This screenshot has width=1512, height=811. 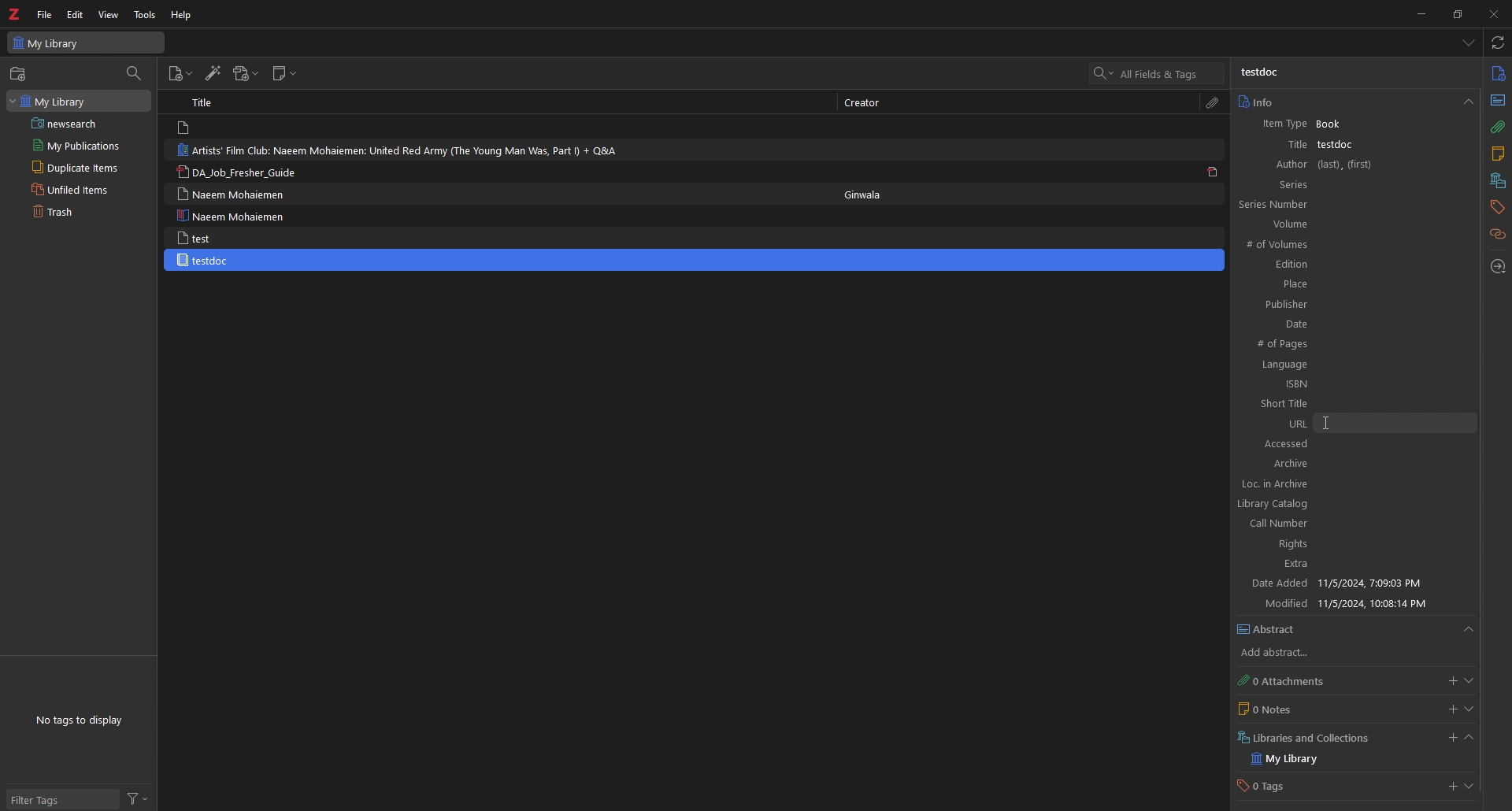 What do you see at coordinates (20, 74) in the screenshot?
I see `new collection` at bounding box center [20, 74].